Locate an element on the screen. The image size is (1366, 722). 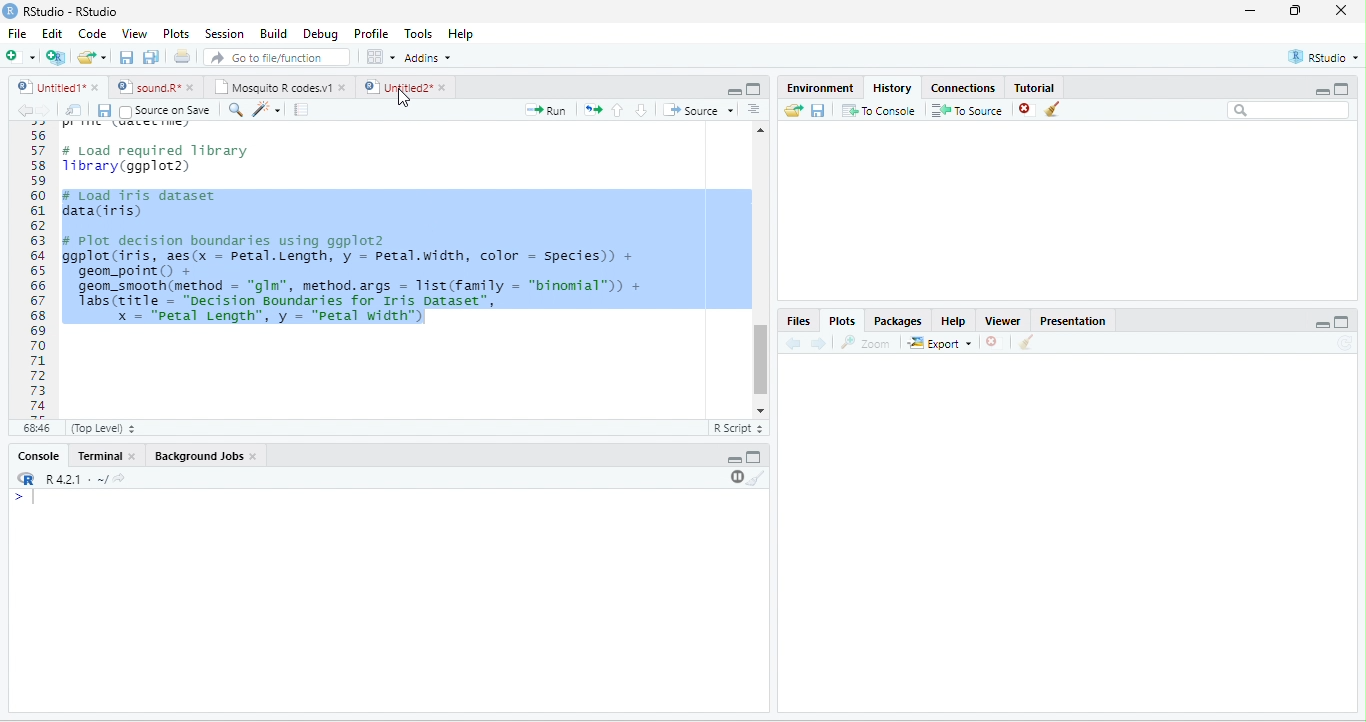
Code is located at coordinates (92, 33).